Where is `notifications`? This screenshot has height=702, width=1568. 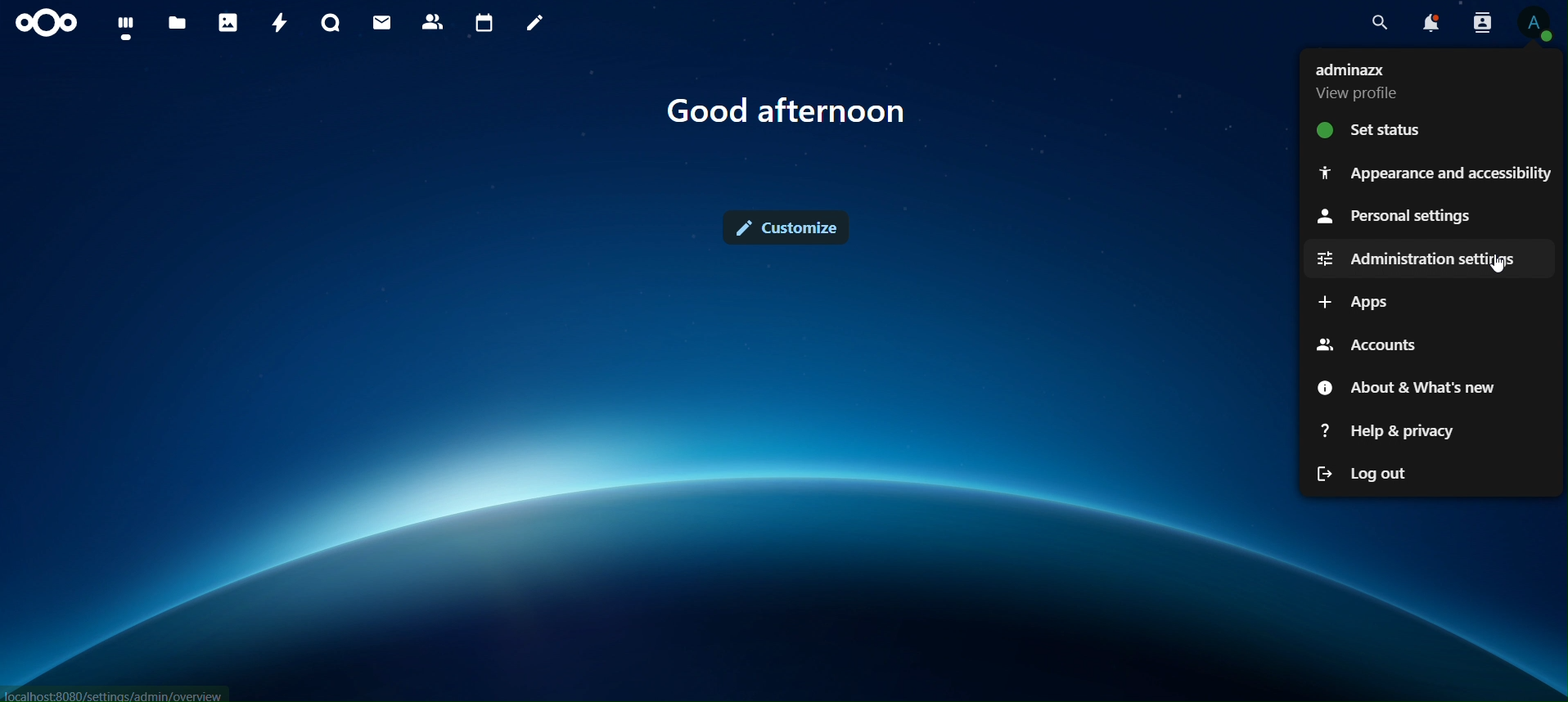
notifications is located at coordinates (1428, 23).